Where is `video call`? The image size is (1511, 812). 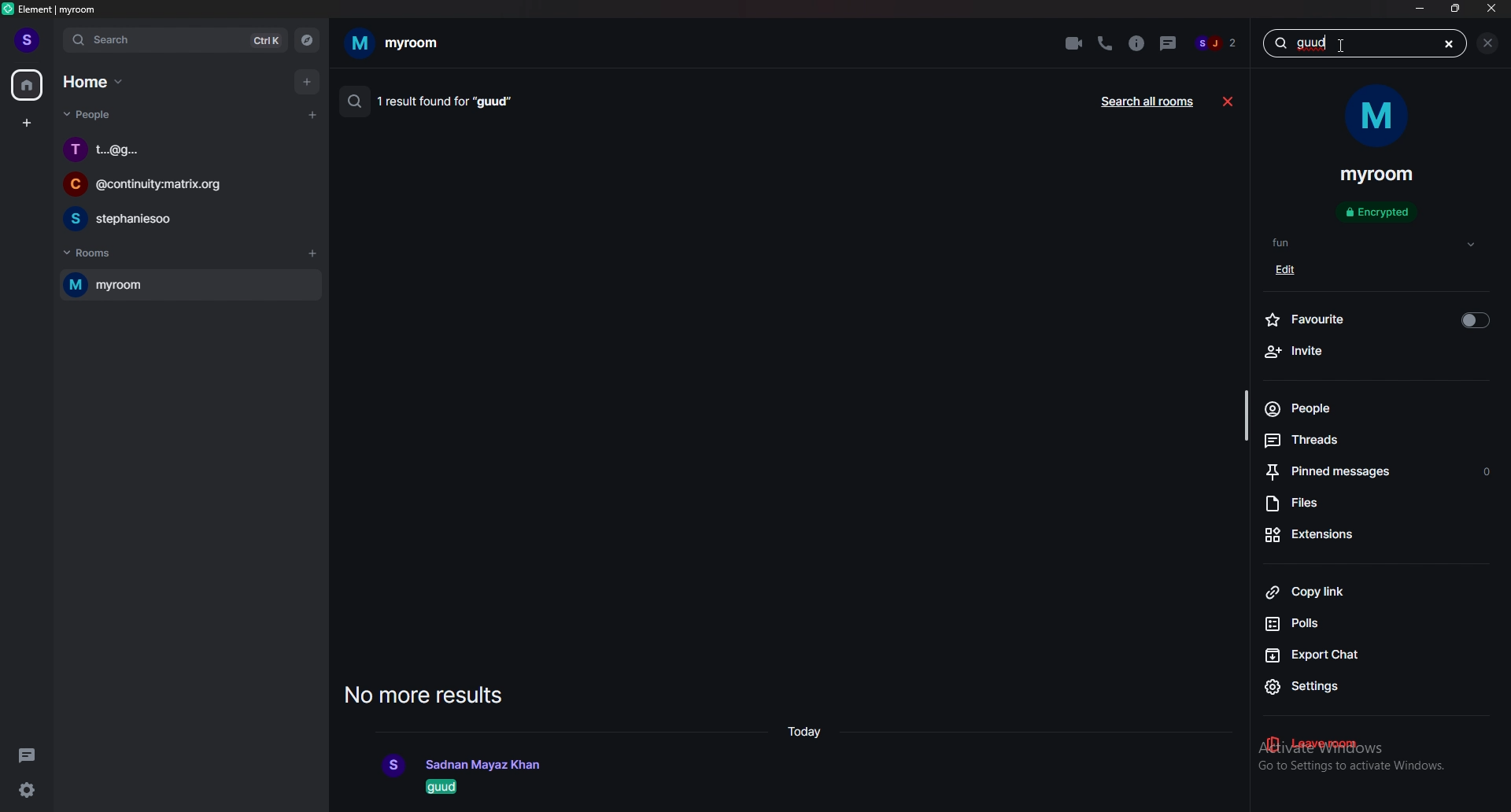 video call is located at coordinates (1075, 44).